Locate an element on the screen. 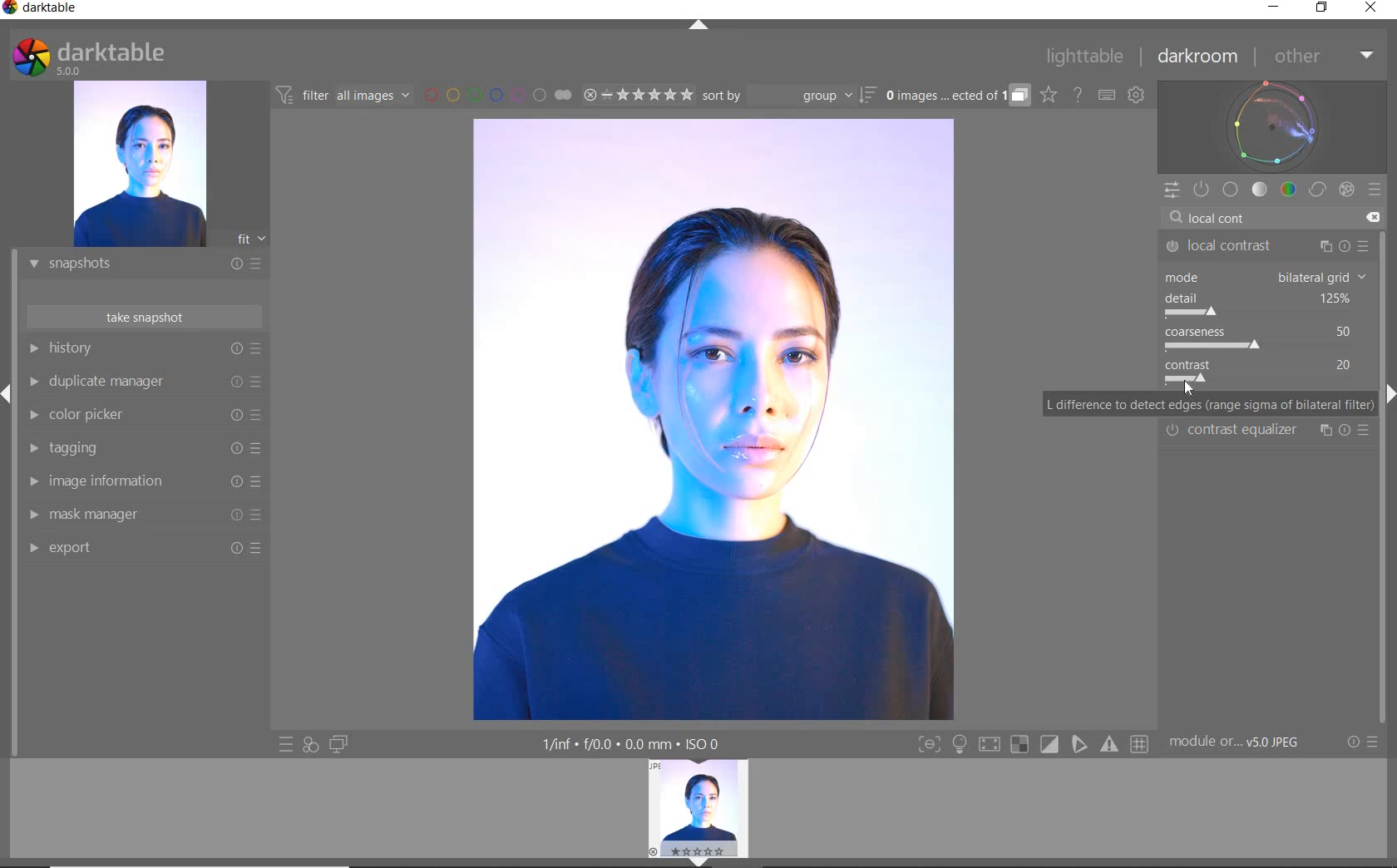 The width and height of the screenshot is (1397, 868). Button is located at coordinates (989, 747).